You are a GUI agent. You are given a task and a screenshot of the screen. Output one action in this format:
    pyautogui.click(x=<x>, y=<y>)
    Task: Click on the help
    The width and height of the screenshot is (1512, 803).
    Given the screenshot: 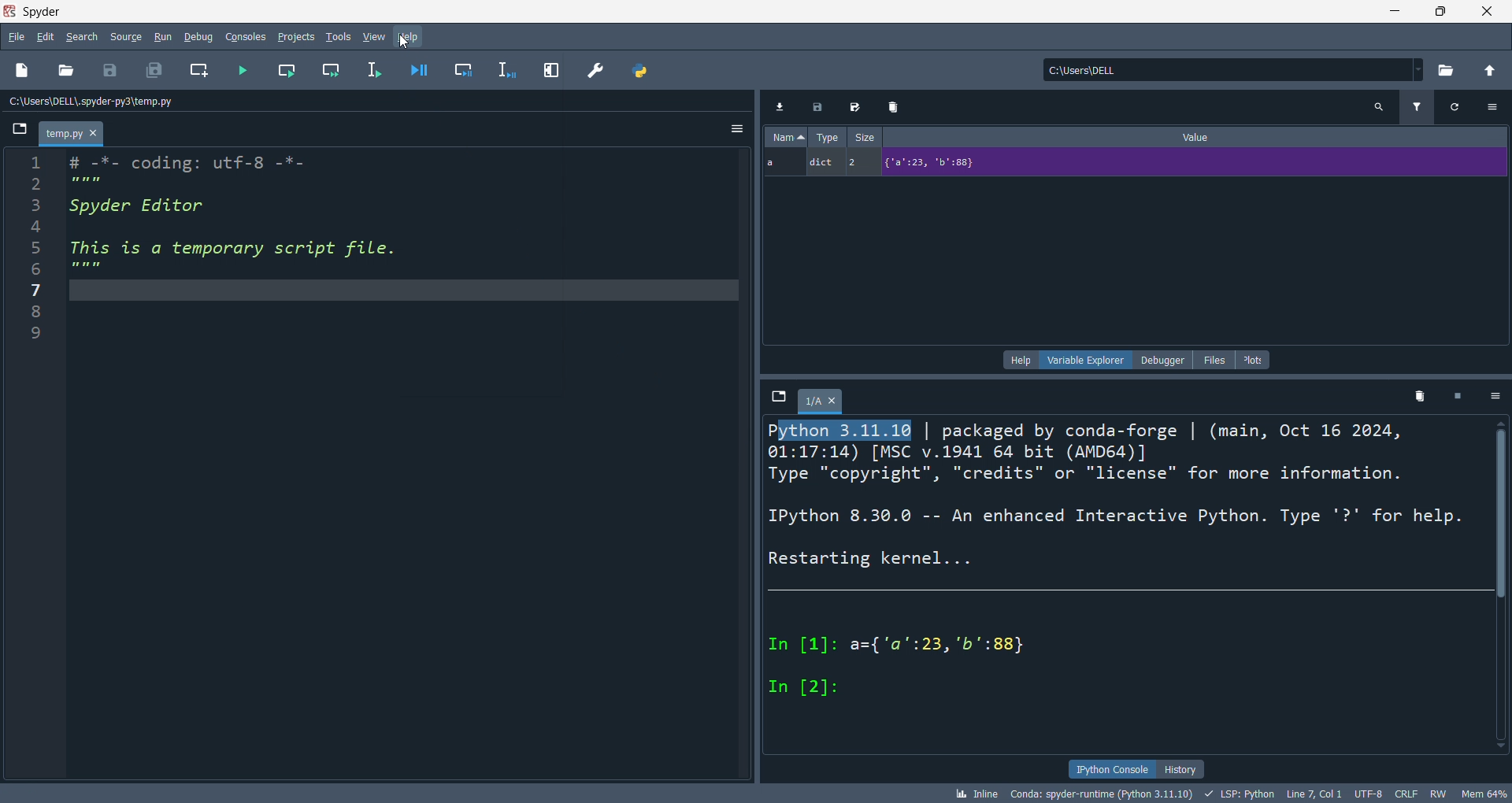 What is the action you would take?
    pyautogui.click(x=1021, y=360)
    